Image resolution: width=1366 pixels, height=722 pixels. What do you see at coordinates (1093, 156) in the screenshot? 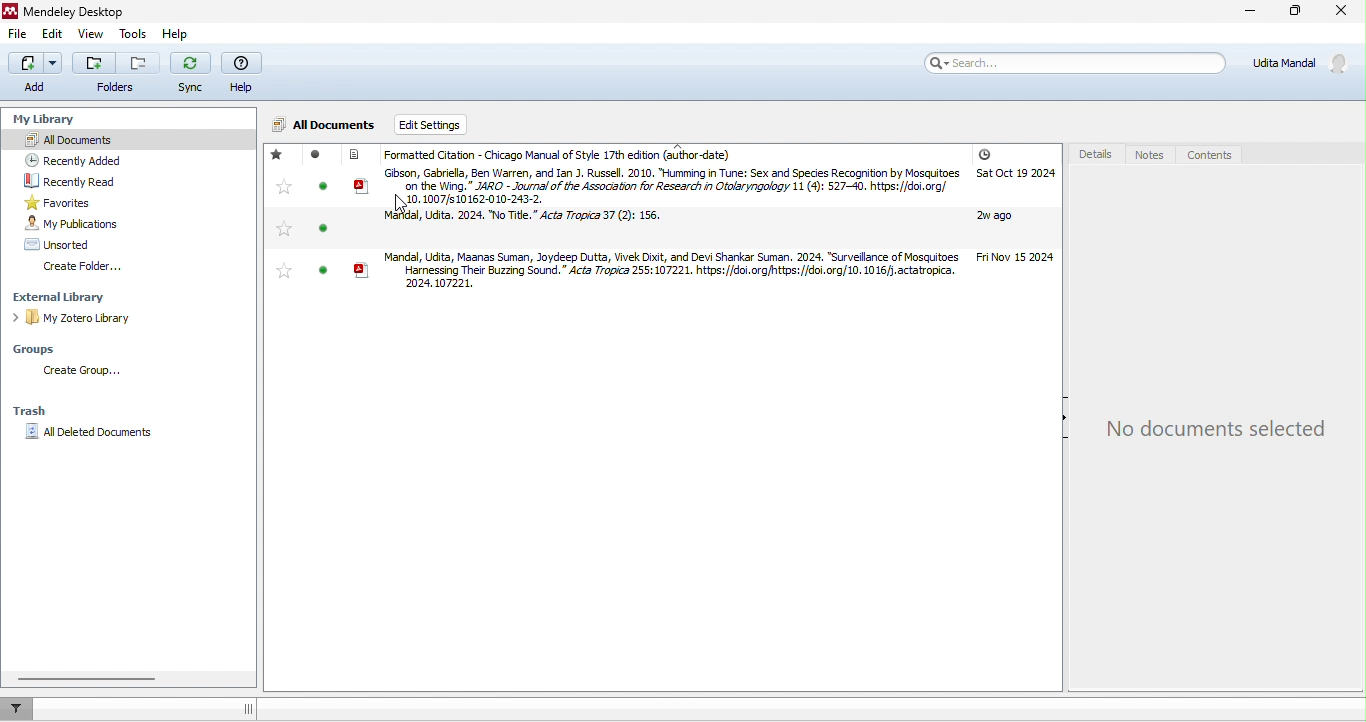
I see `details` at bounding box center [1093, 156].